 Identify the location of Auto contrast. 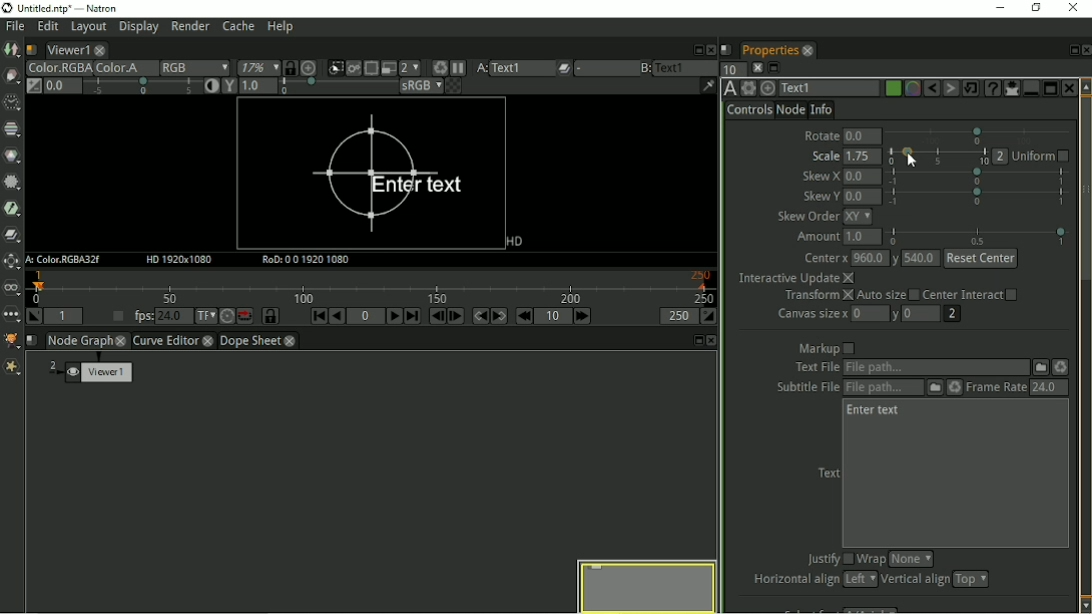
(151, 86).